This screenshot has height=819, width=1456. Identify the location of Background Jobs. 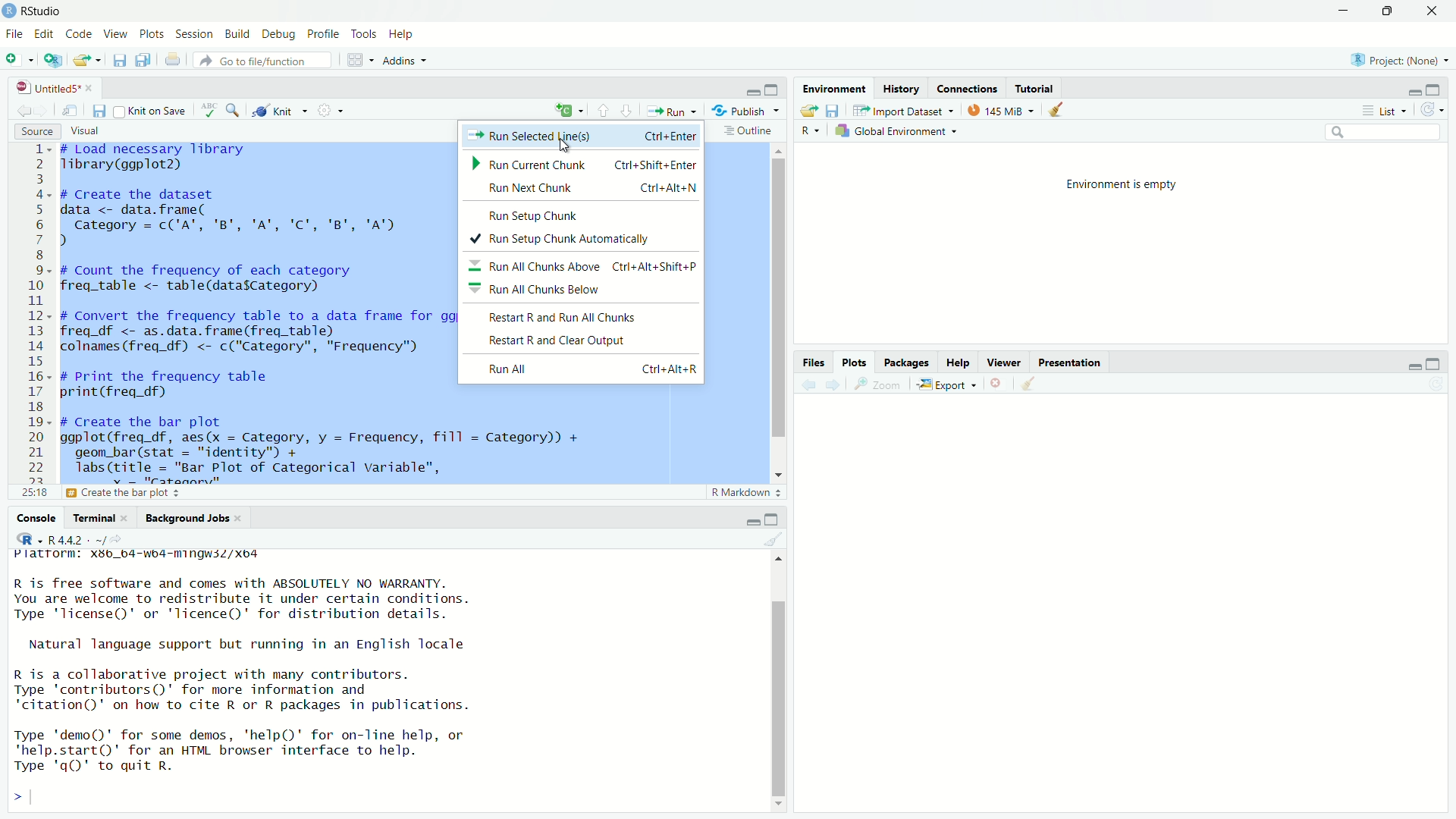
(189, 518).